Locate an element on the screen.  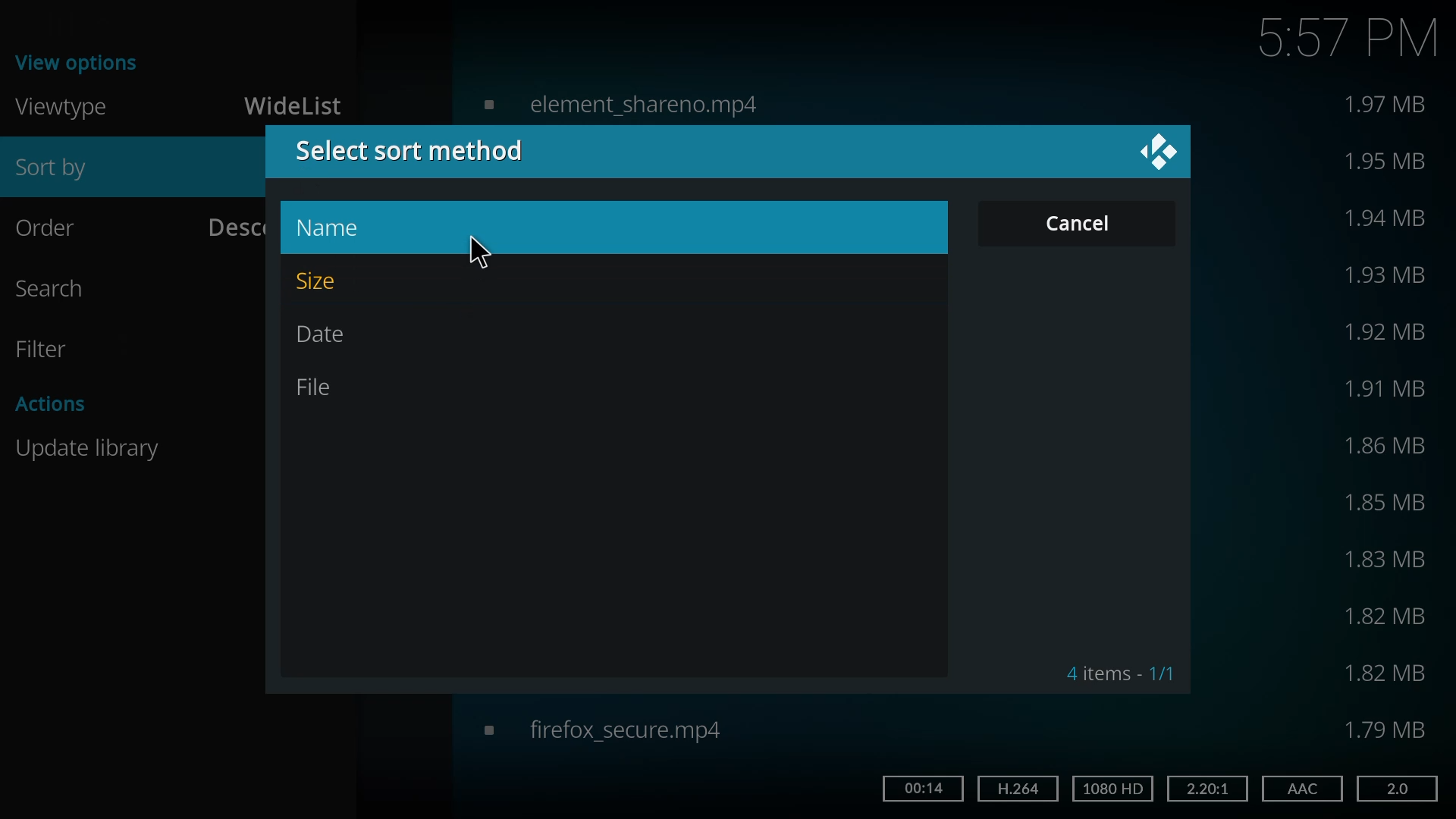
time is located at coordinates (1348, 36).